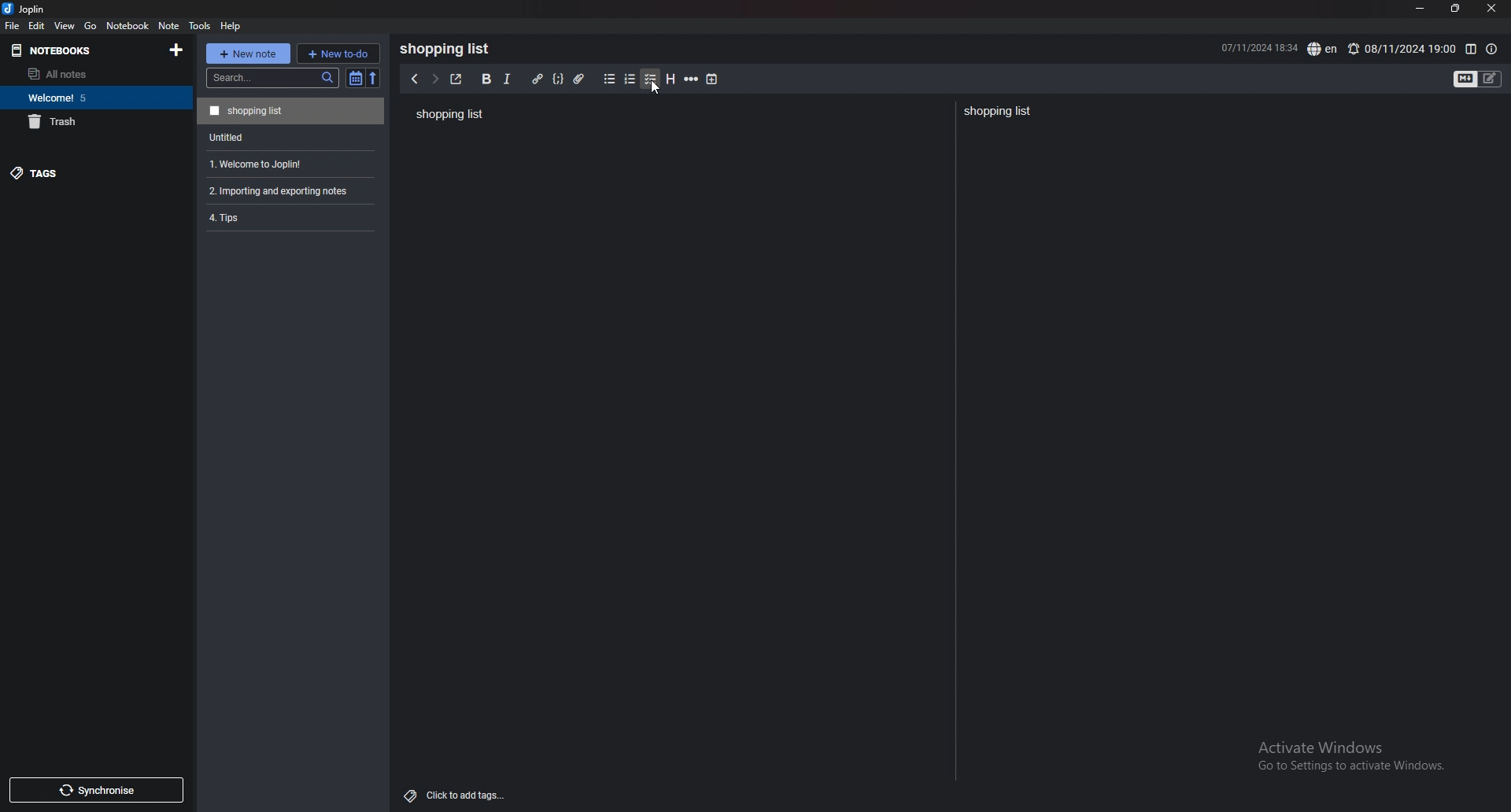  What do you see at coordinates (558, 79) in the screenshot?
I see `code` at bounding box center [558, 79].